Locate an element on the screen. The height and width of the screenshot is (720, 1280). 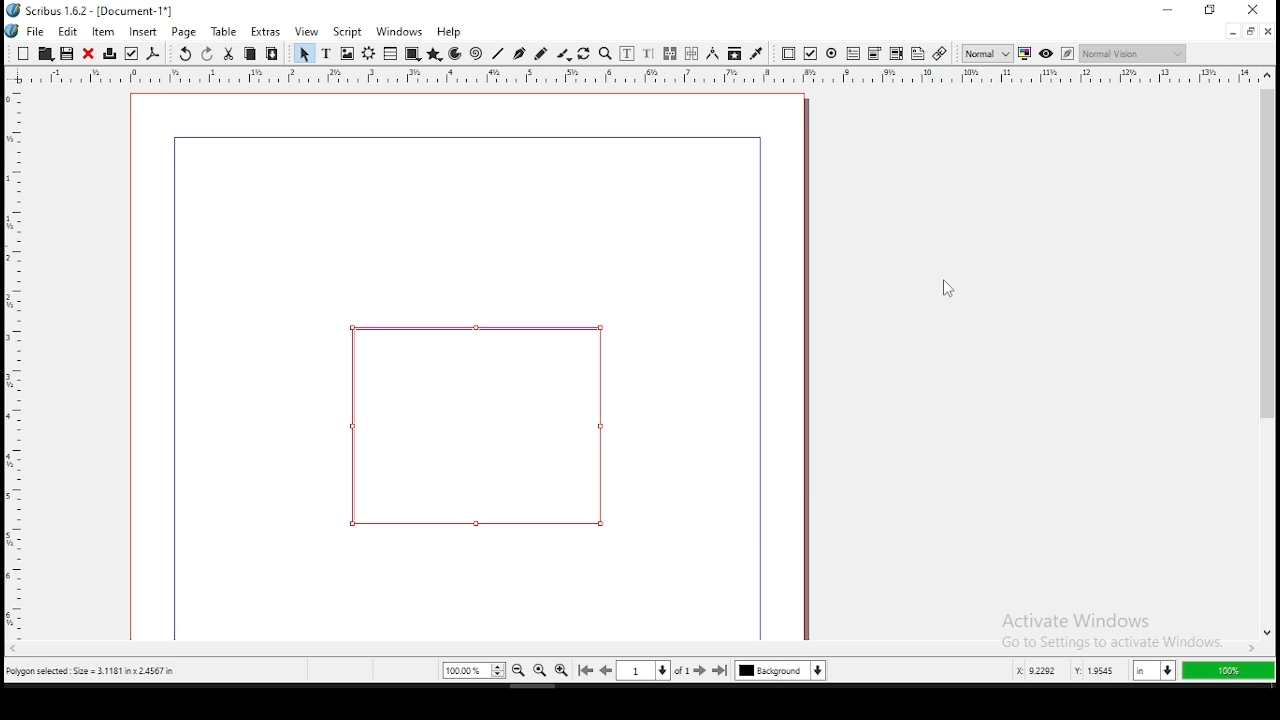
extras is located at coordinates (265, 32).